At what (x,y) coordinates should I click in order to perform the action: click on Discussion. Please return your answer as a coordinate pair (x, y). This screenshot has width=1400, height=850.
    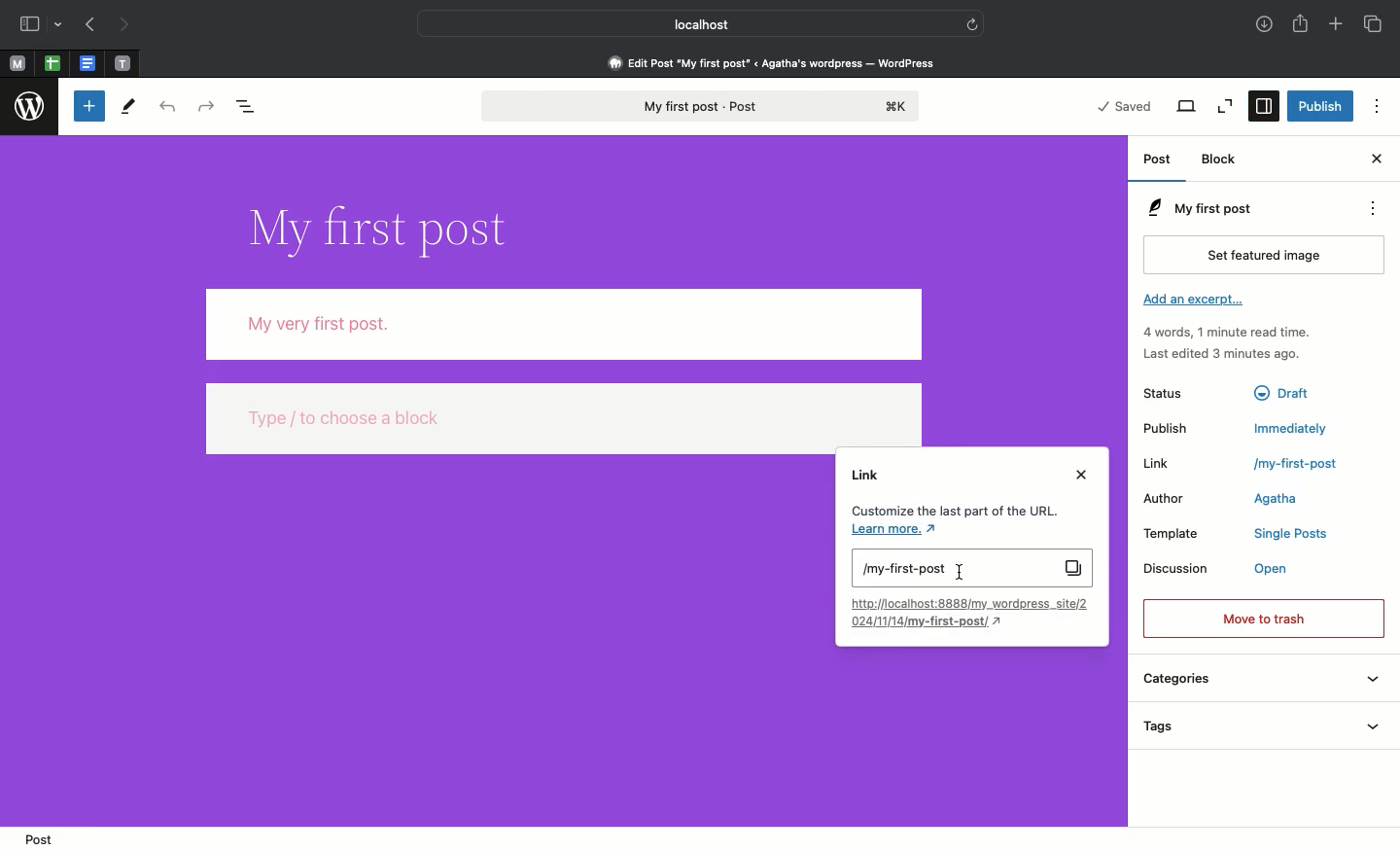
    Looking at the image, I should click on (1177, 569).